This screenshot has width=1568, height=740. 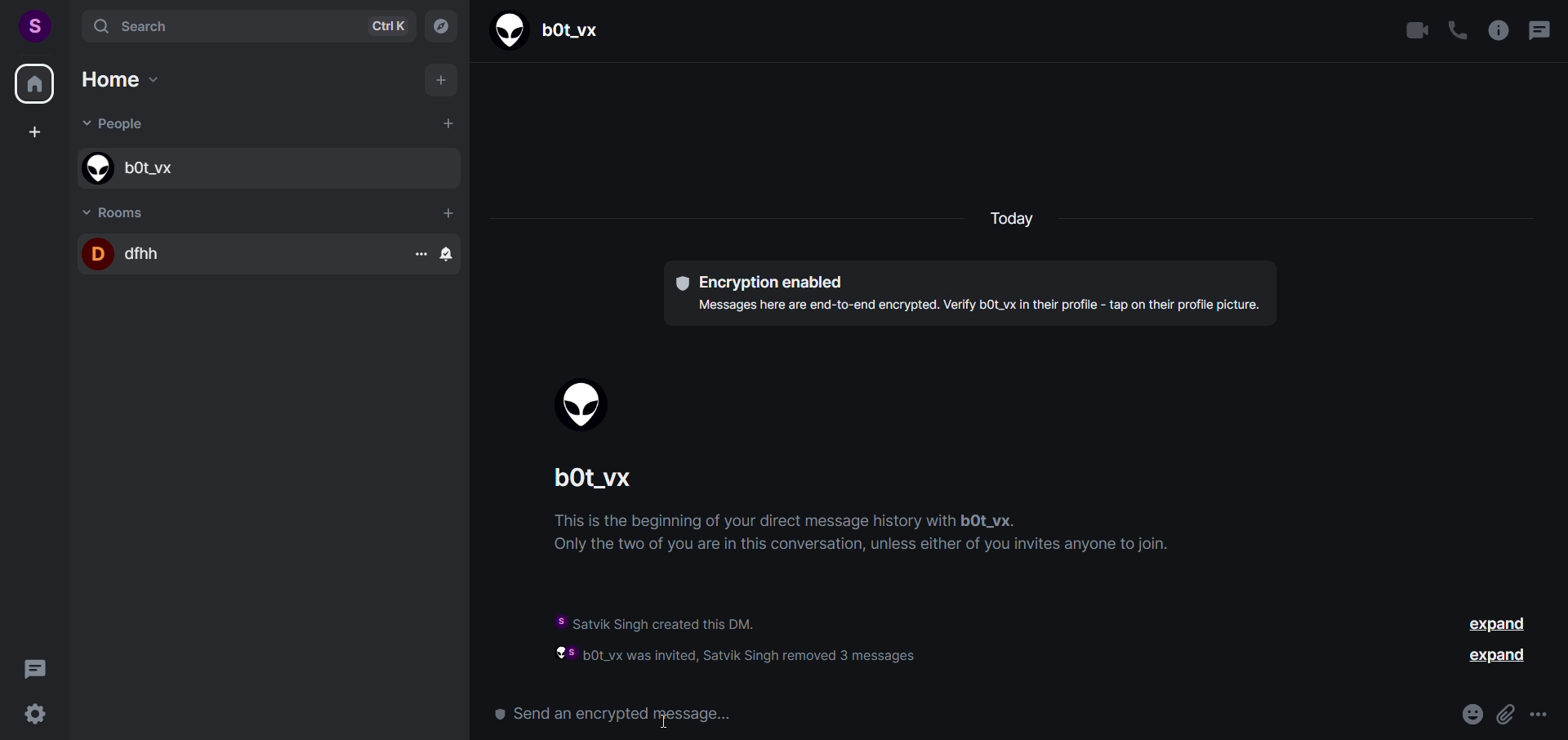 What do you see at coordinates (773, 635) in the screenshot?
I see `information` at bounding box center [773, 635].